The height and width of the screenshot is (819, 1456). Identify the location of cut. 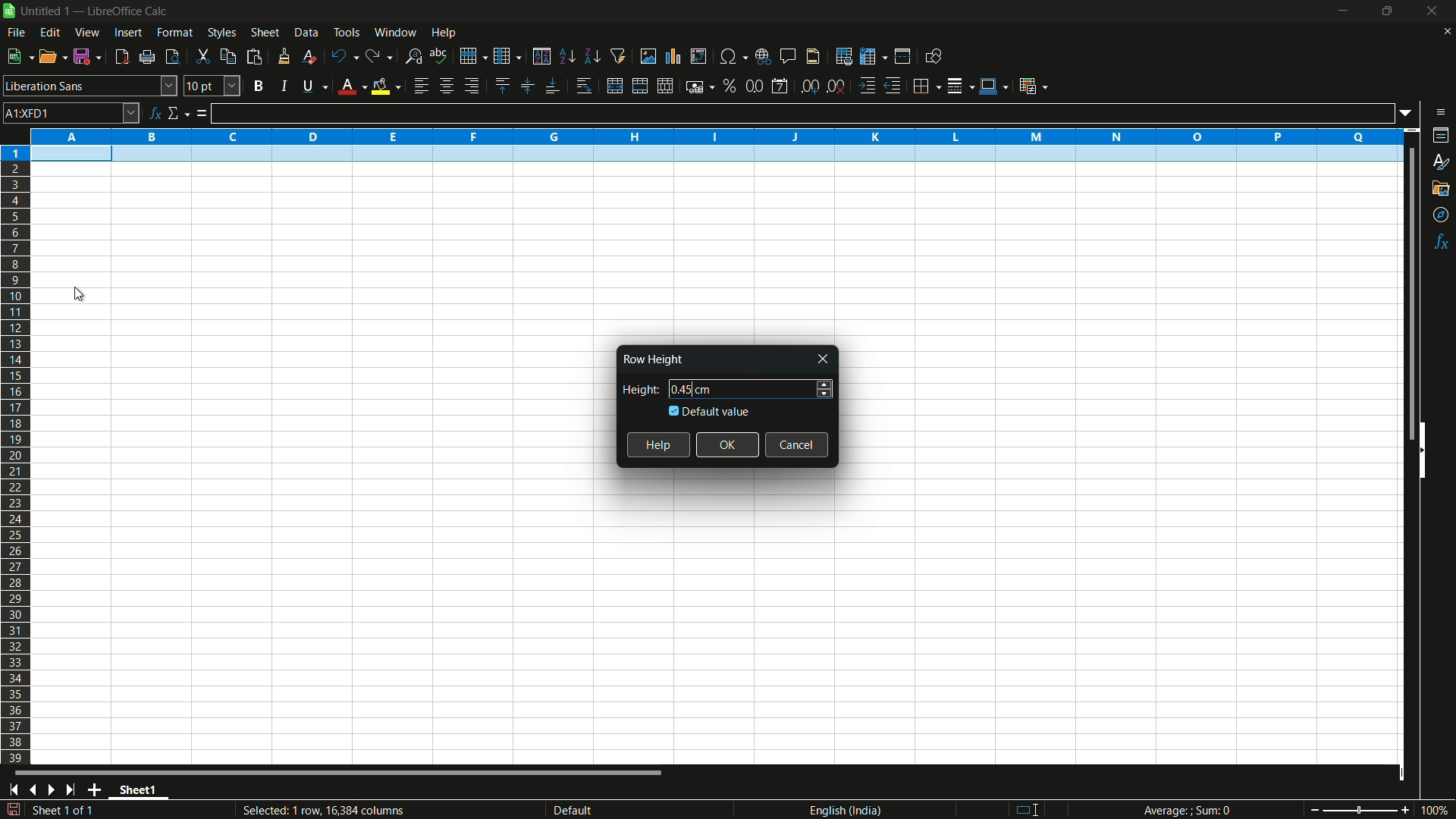
(202, 56).